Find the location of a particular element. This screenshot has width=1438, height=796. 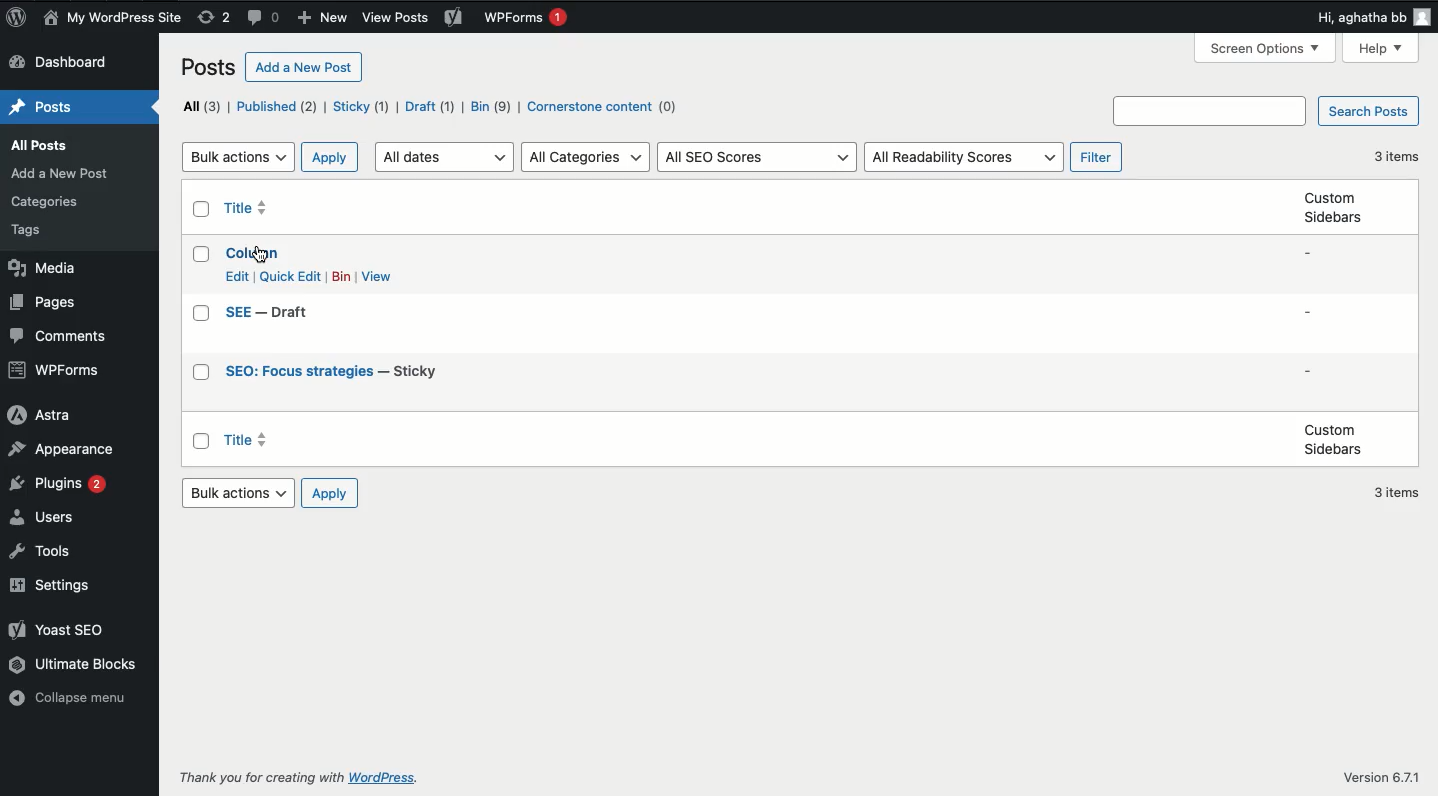

Posts is located at coordinates (206, 67).